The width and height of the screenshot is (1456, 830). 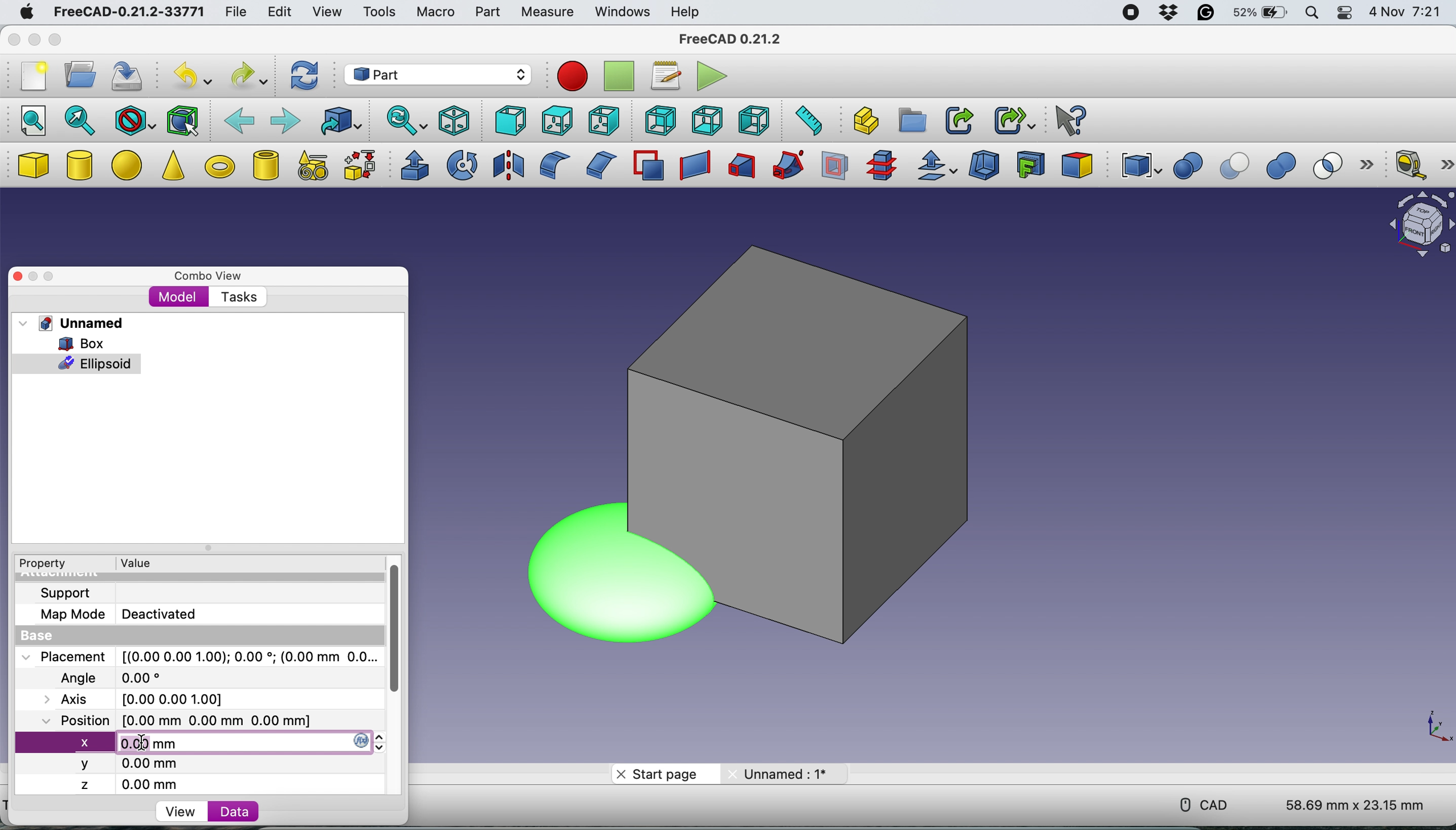 I want to click on top, so click(x=555, y=120).